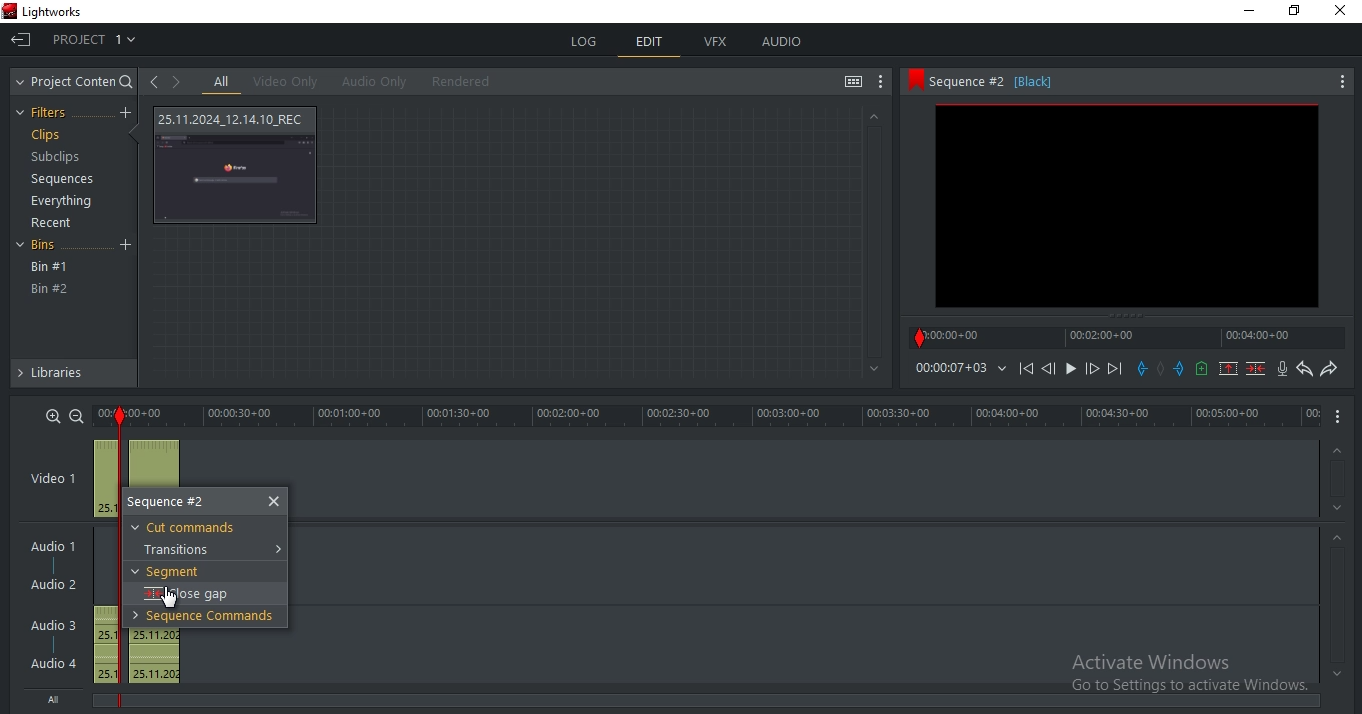 The width and height of the screenshot is (1362, 714). What do you see at coordinates (855, 80) in the screenshot?
I see `` at bounding box center [855, 80].